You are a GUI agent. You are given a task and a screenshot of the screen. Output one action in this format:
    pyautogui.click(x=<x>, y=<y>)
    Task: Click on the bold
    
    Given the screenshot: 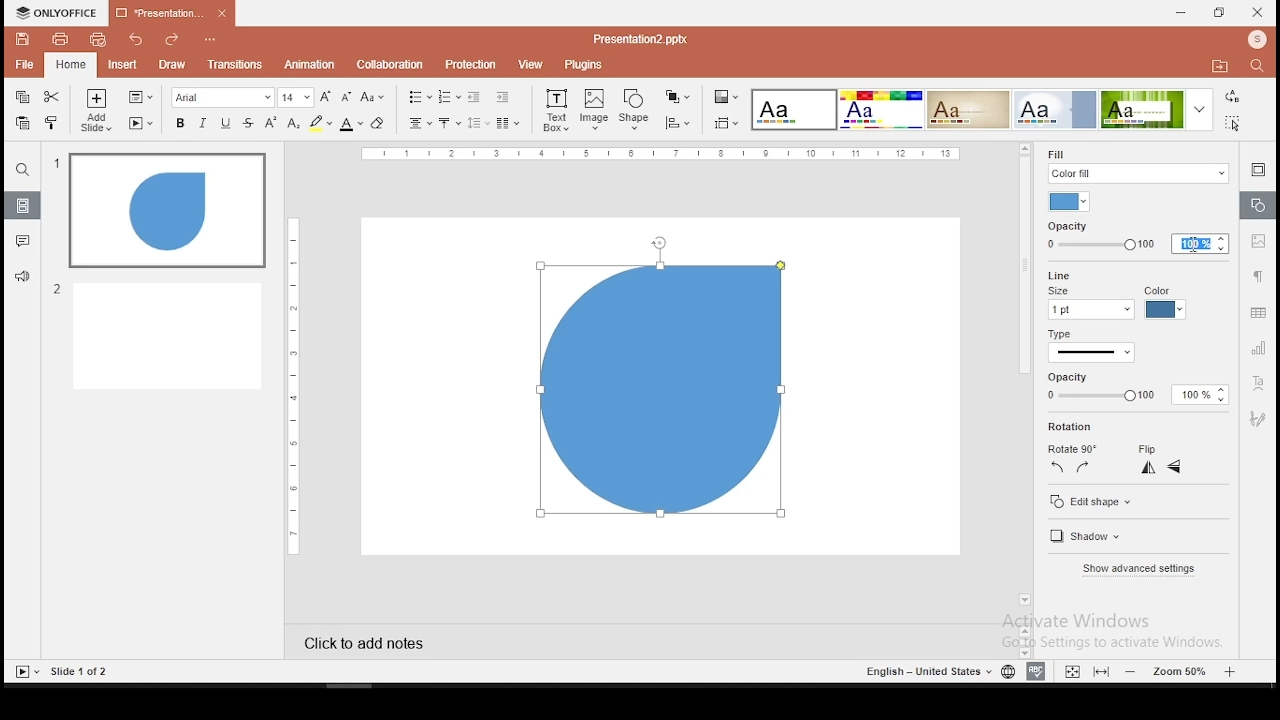 What is the action you would take?
    pyautogui.click(x=179, y=122)
    